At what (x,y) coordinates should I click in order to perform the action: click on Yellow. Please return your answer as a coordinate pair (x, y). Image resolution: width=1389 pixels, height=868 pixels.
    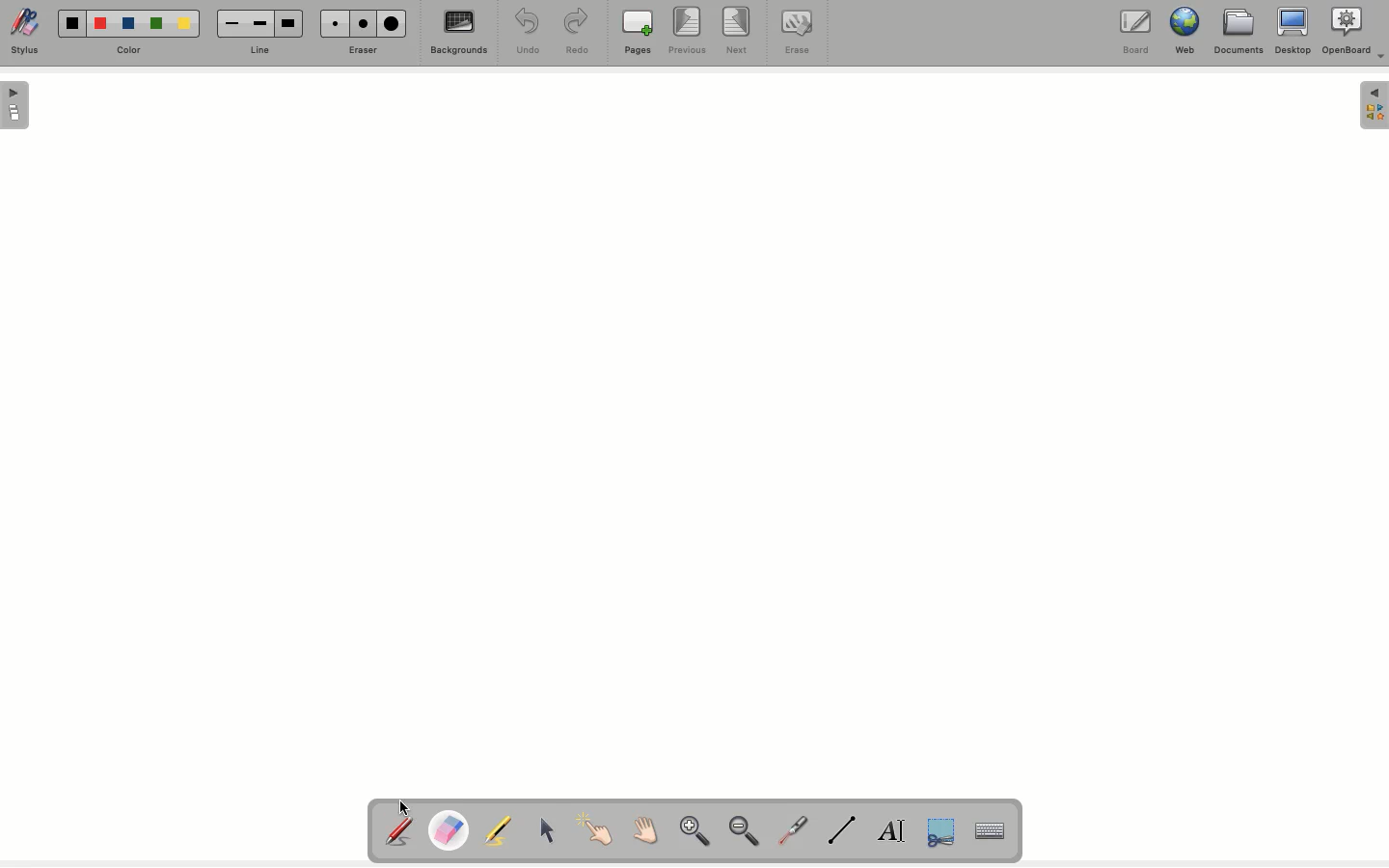
    Looking at the image, I should click on (187, 26).